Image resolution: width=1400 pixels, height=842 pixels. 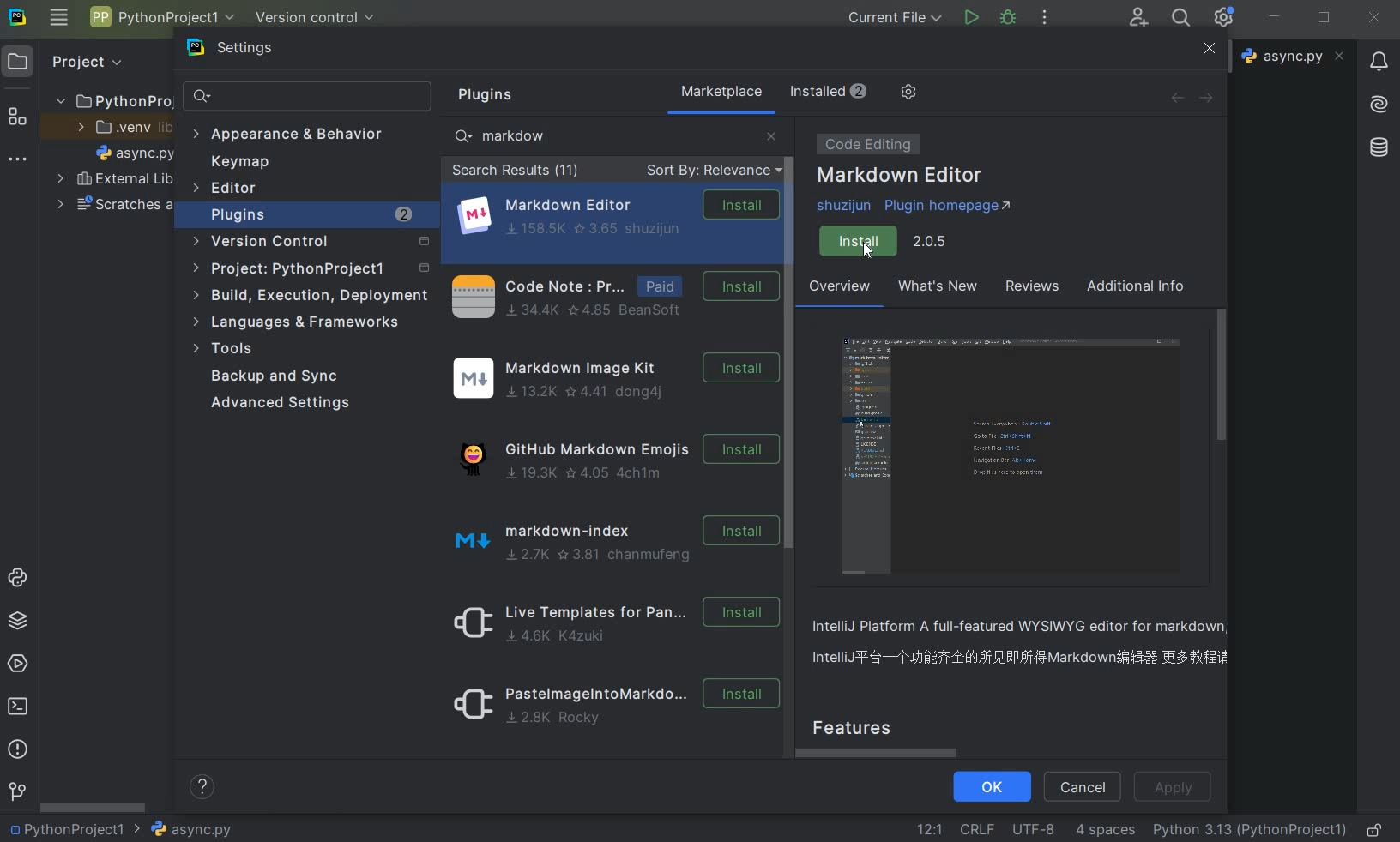 I want to click on sort by: revelance, so click(x=711, y=171).